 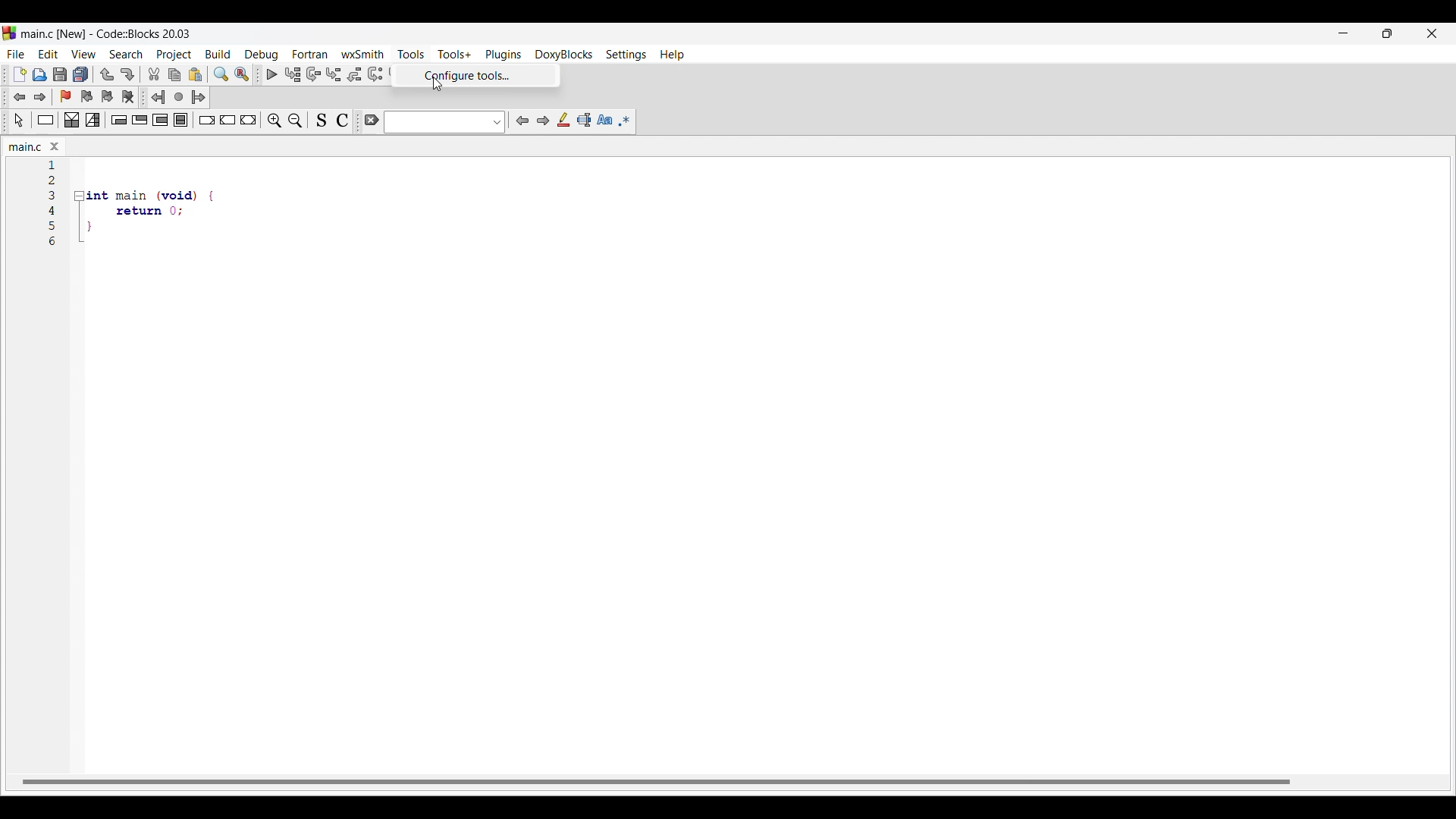 What do you see at coordinates (375, 74) in the screenshot?
I see `Next instruction` at bounding box center [375, 74].